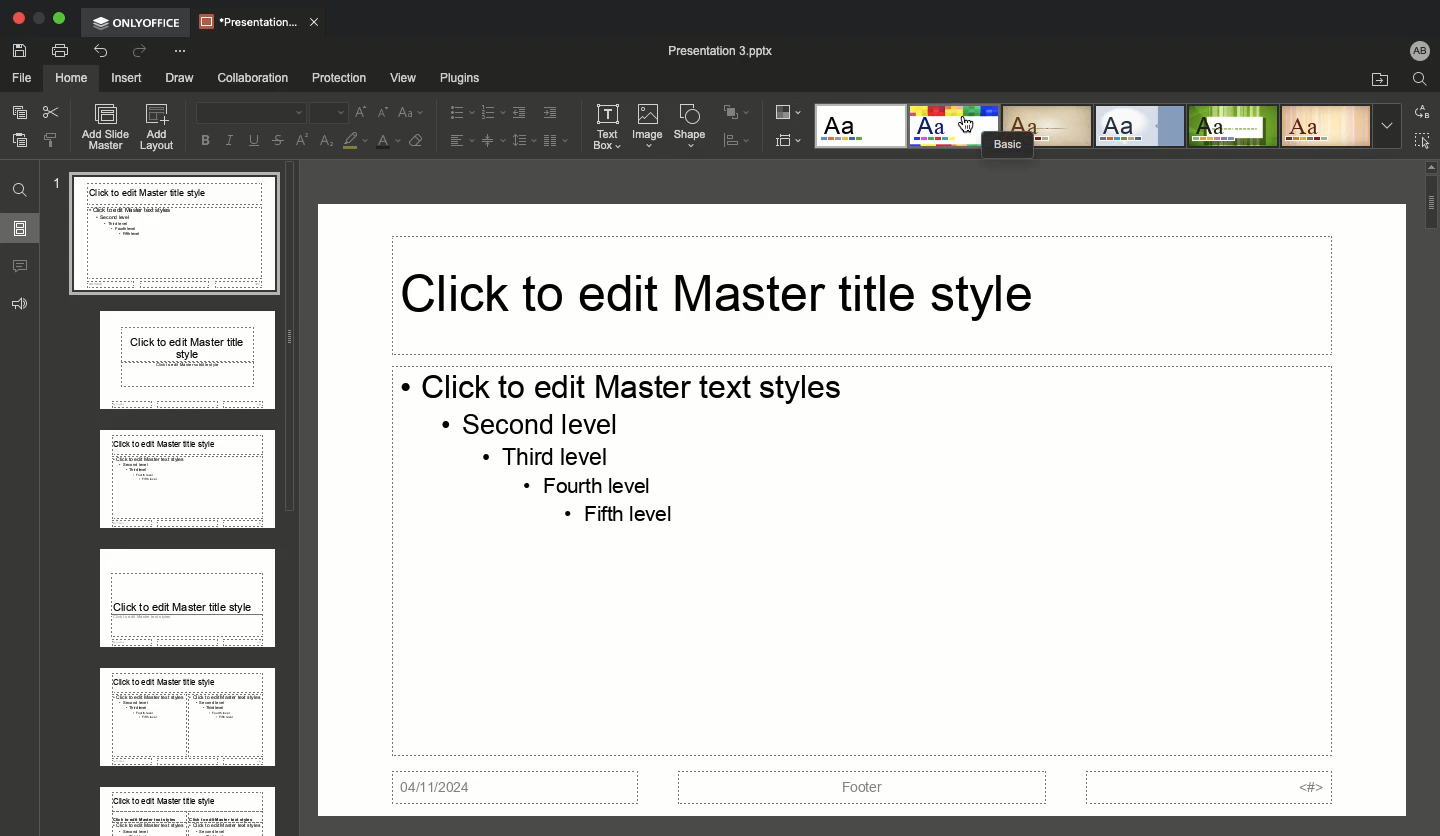  Describe the element at coordinates (1235, 127) in the screenshot. I see `Green leaf style` at that location.